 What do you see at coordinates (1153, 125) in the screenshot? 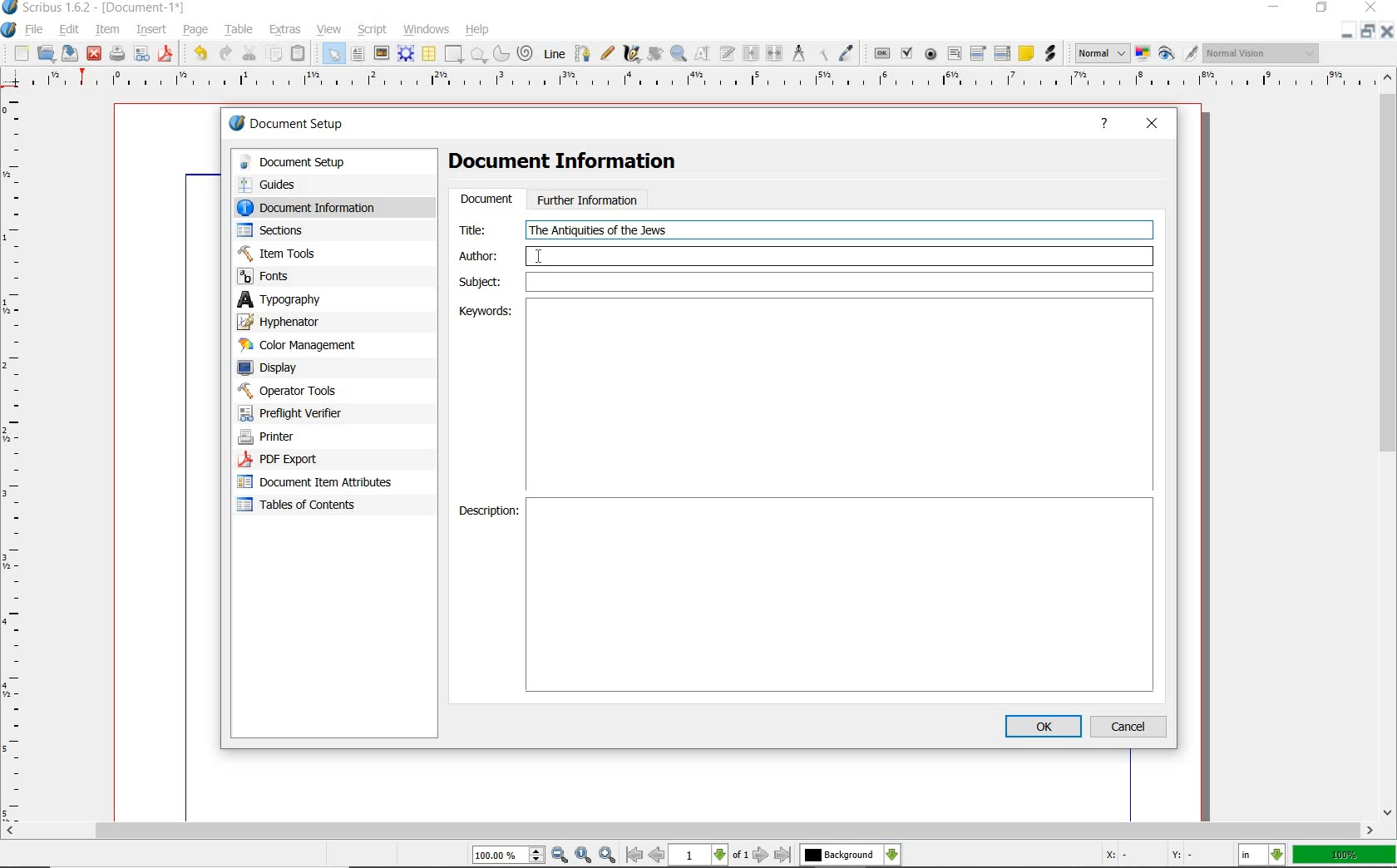
I see `close` at bounding box center [1153, 125].